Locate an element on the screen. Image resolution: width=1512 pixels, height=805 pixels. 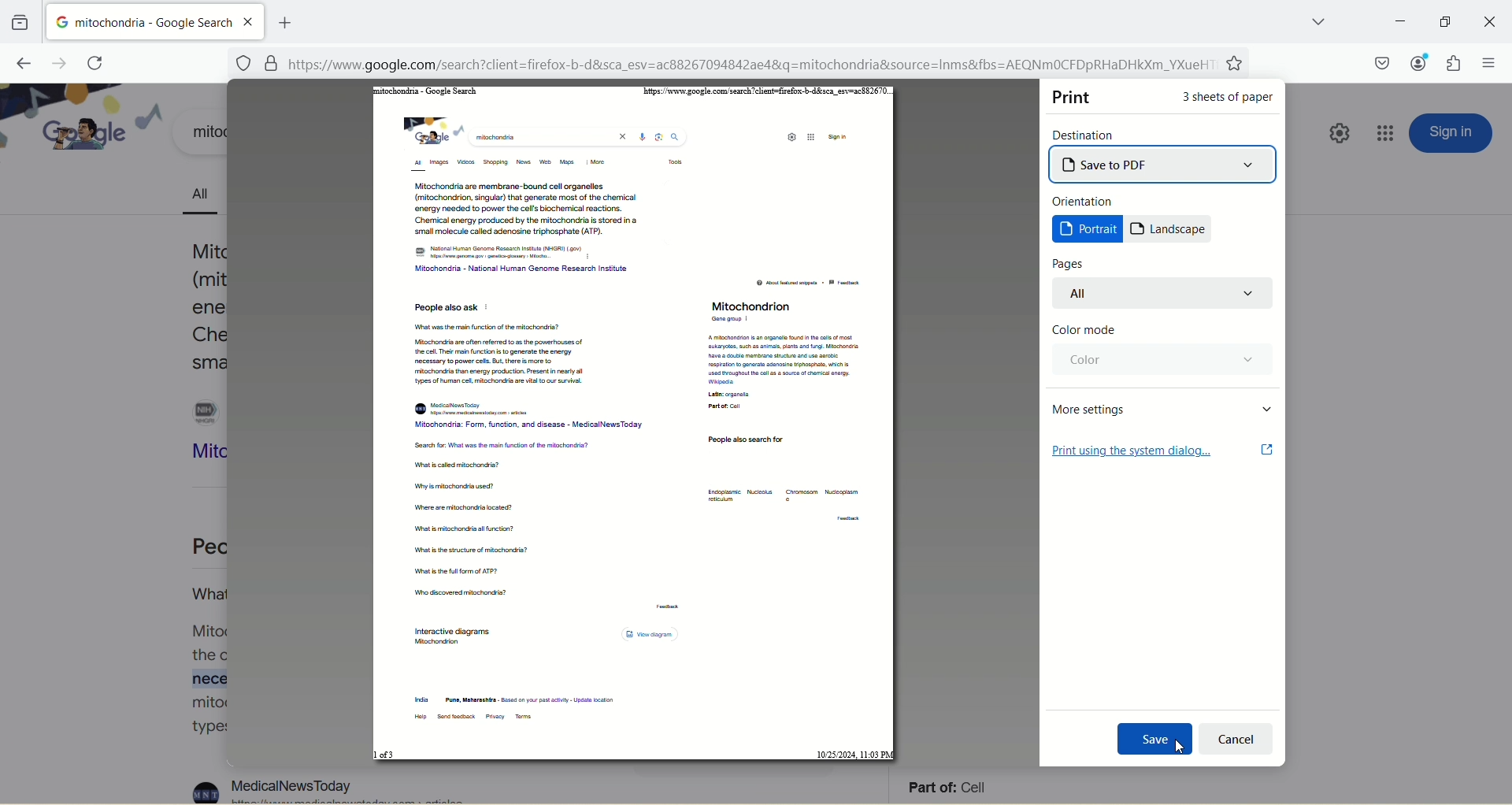
save to pocket is located at coordinates (1381, 63).